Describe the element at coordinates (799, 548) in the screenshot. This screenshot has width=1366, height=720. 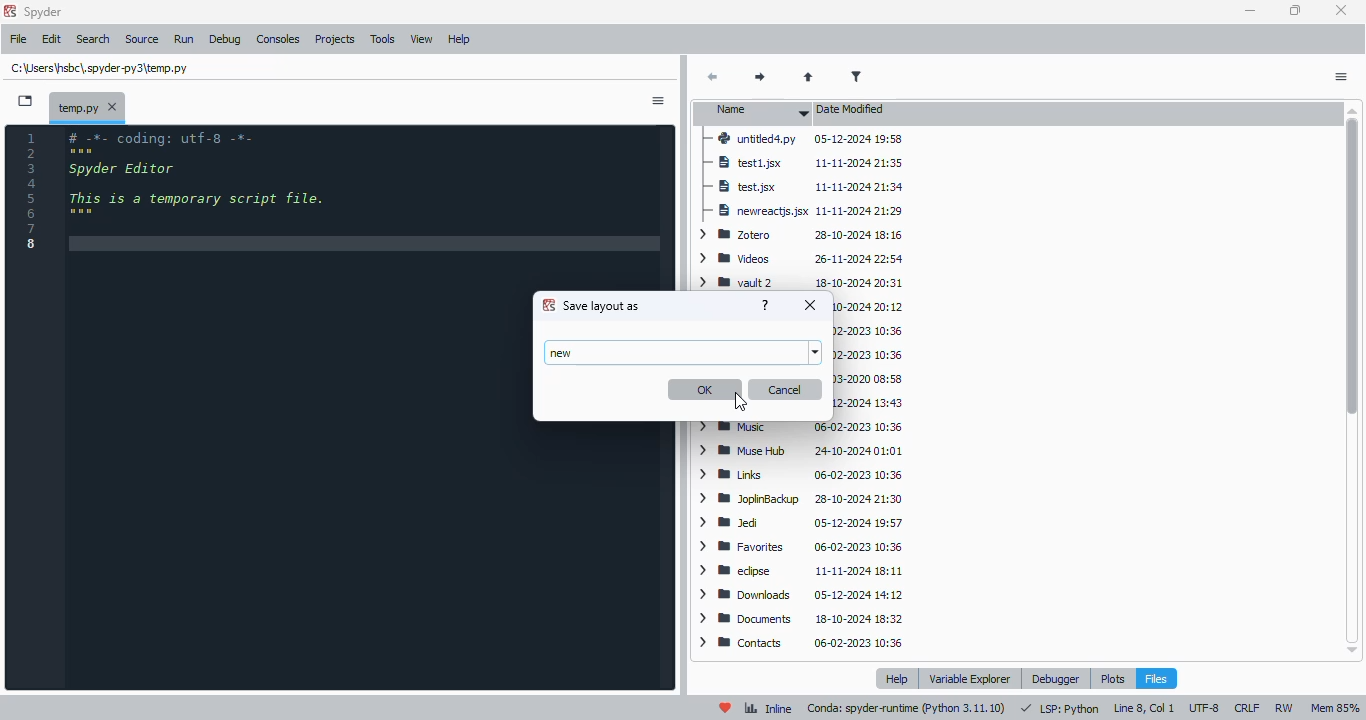
I see `favorites` at that location.